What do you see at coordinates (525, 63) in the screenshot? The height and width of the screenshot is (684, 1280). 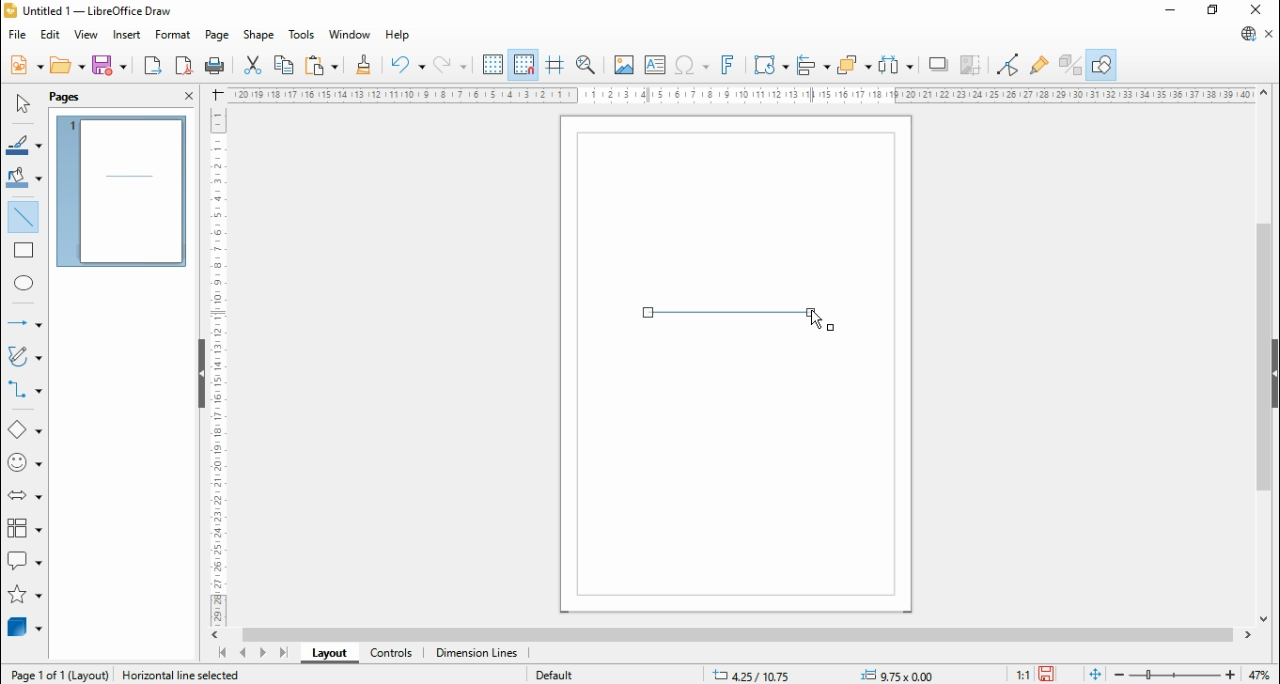 I see `snap to grids` at bounding box center [525, 63].